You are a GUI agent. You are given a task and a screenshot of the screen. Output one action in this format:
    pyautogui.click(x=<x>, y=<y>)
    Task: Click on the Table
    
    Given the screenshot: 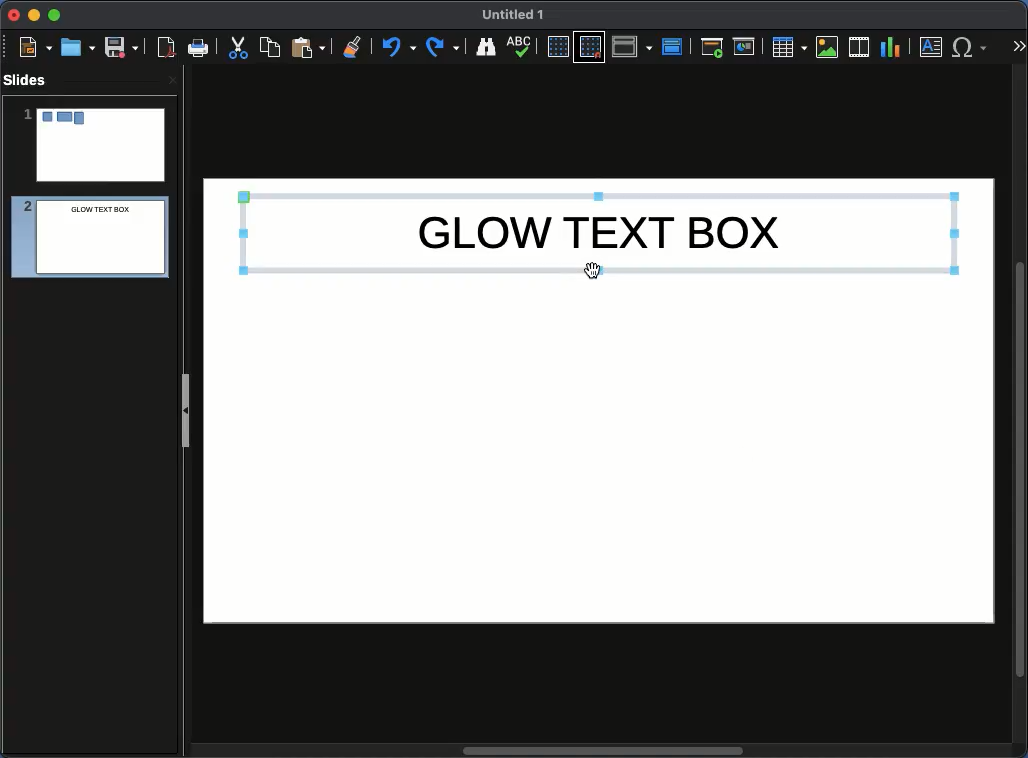 What is the action you would take?
    pyautogui.click(x=788, y=46)
    